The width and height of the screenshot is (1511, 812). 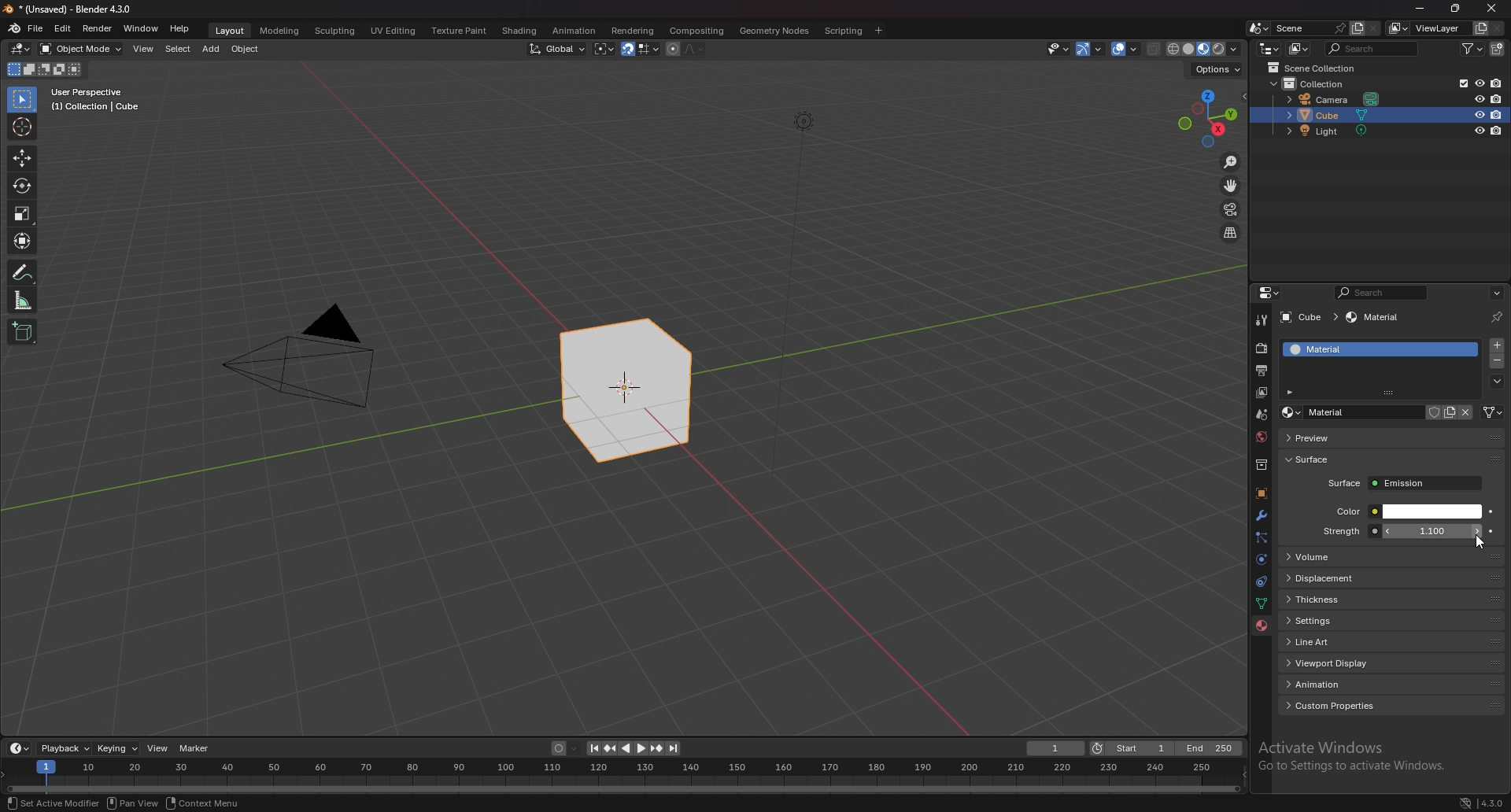 I want to click on render, so click(x=98, y=28).